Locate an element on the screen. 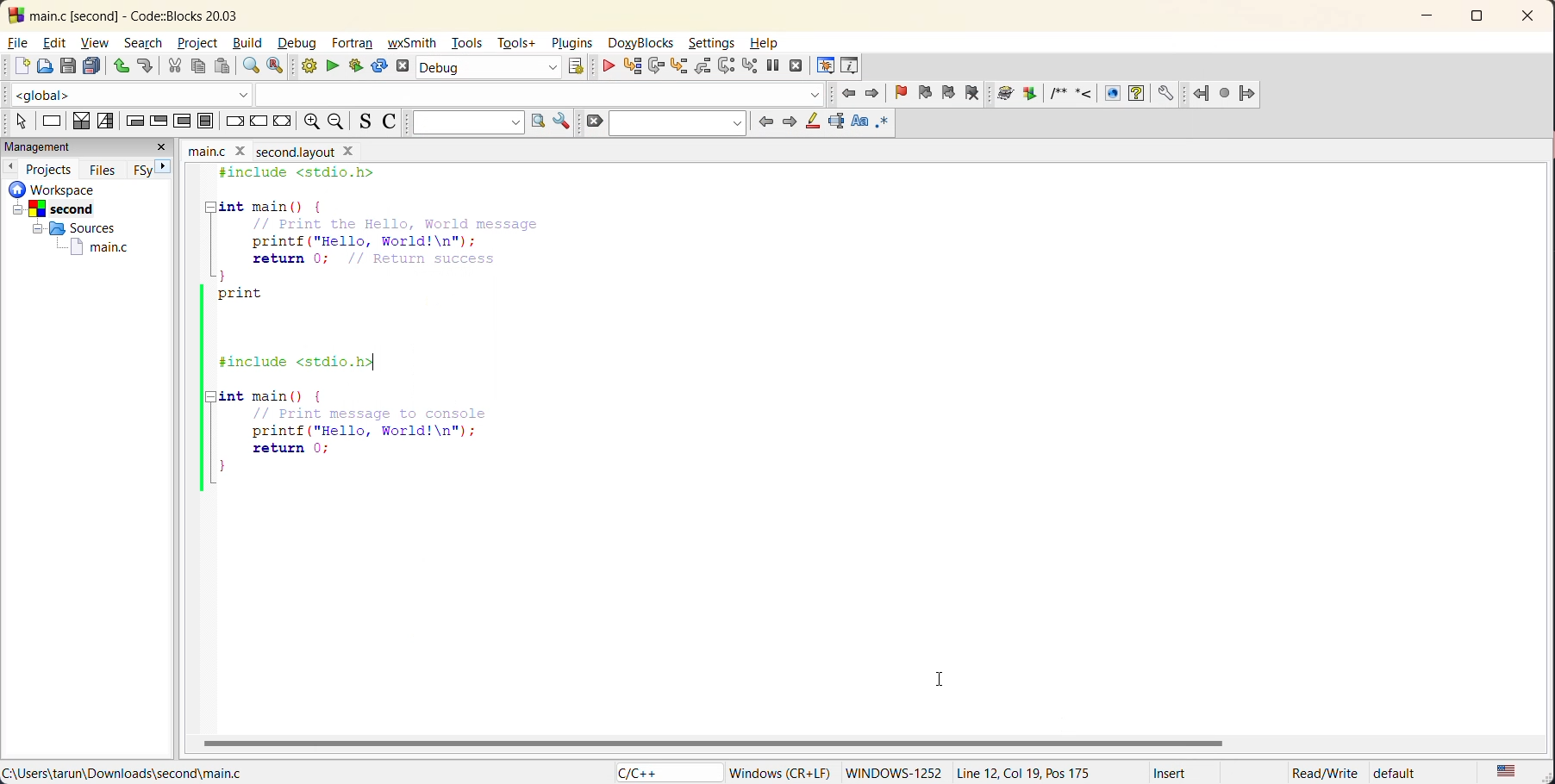 The image size is (1555, 784). jump forward is located at coordinates (1256, 92).